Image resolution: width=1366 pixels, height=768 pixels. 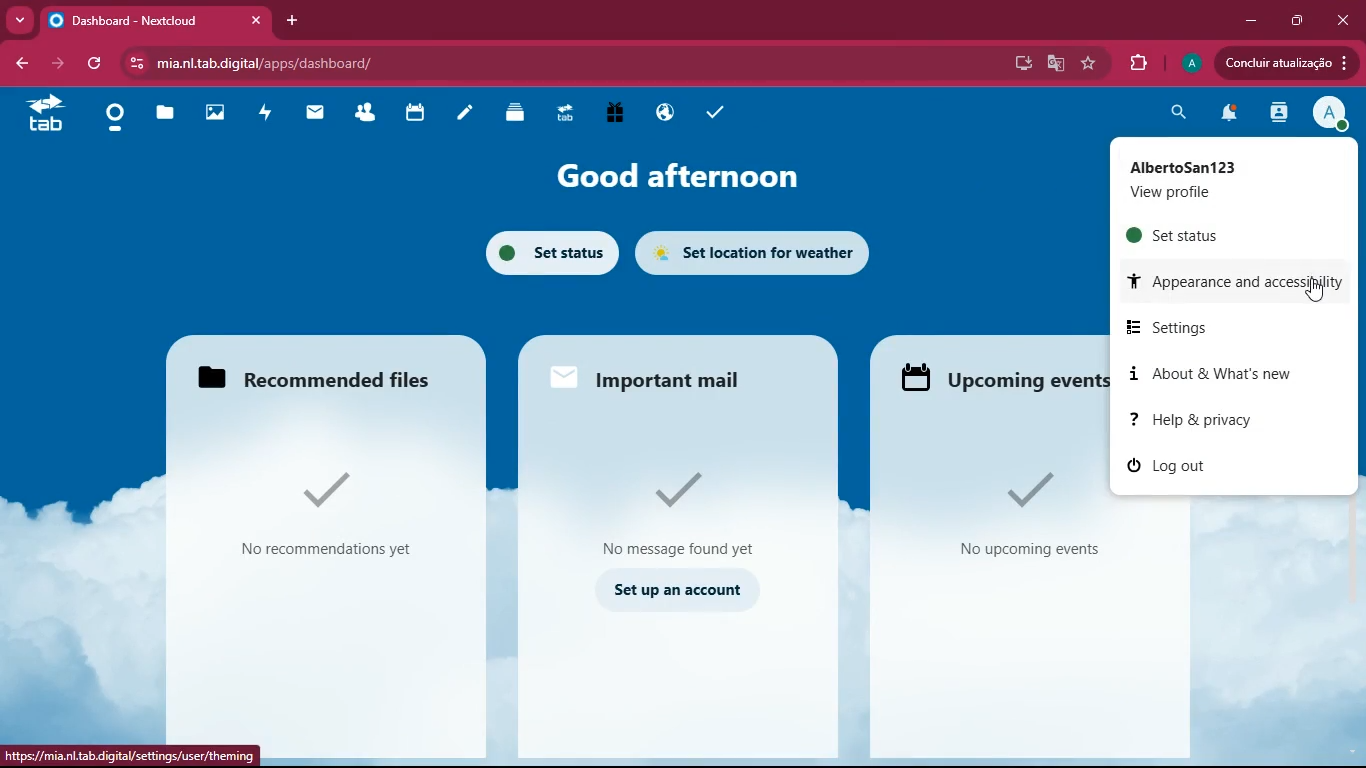 I want to click on desktop, so click(x=1020, y=65).